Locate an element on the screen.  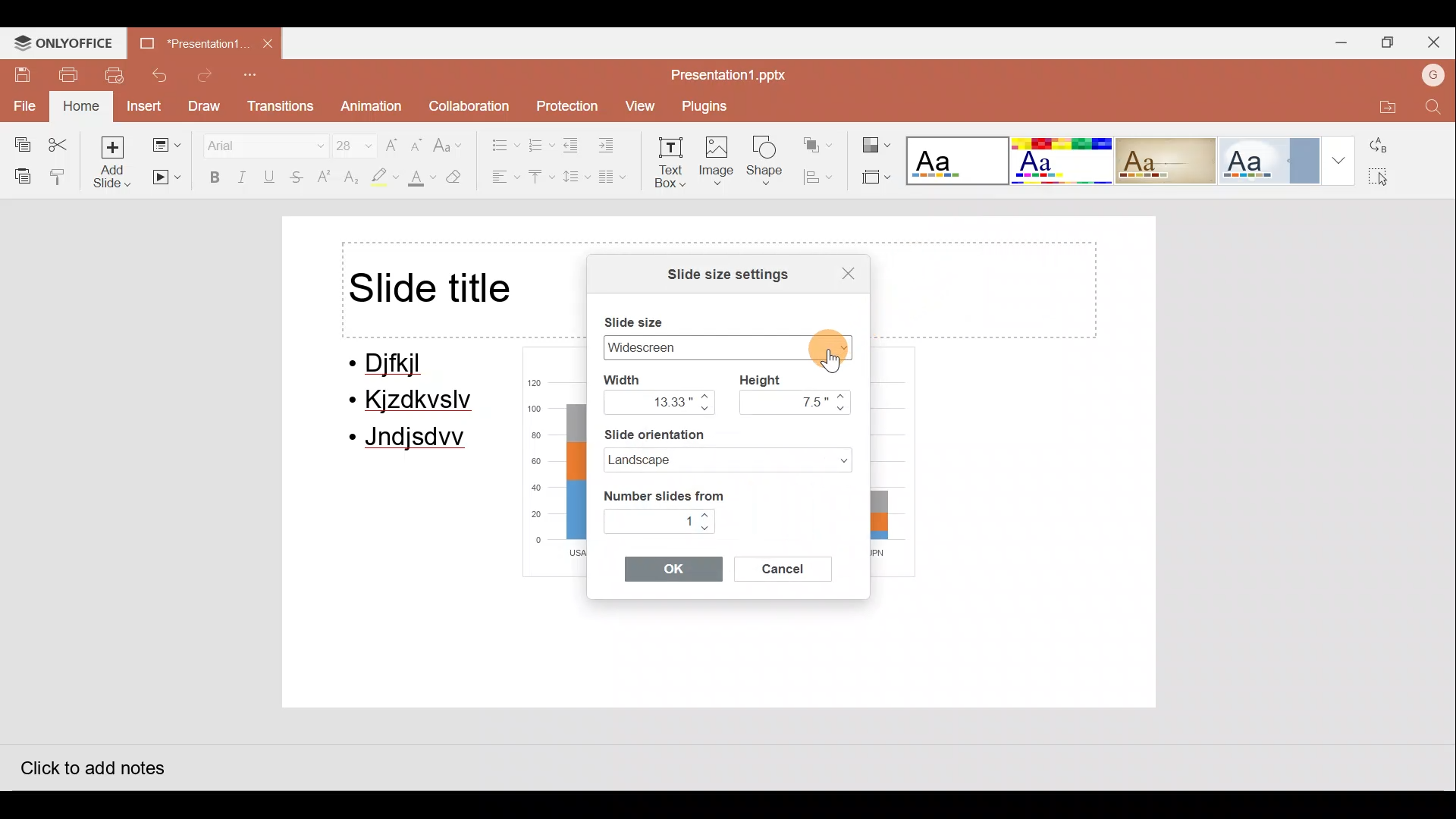
Navigate down is located at coordinates (708, 529).